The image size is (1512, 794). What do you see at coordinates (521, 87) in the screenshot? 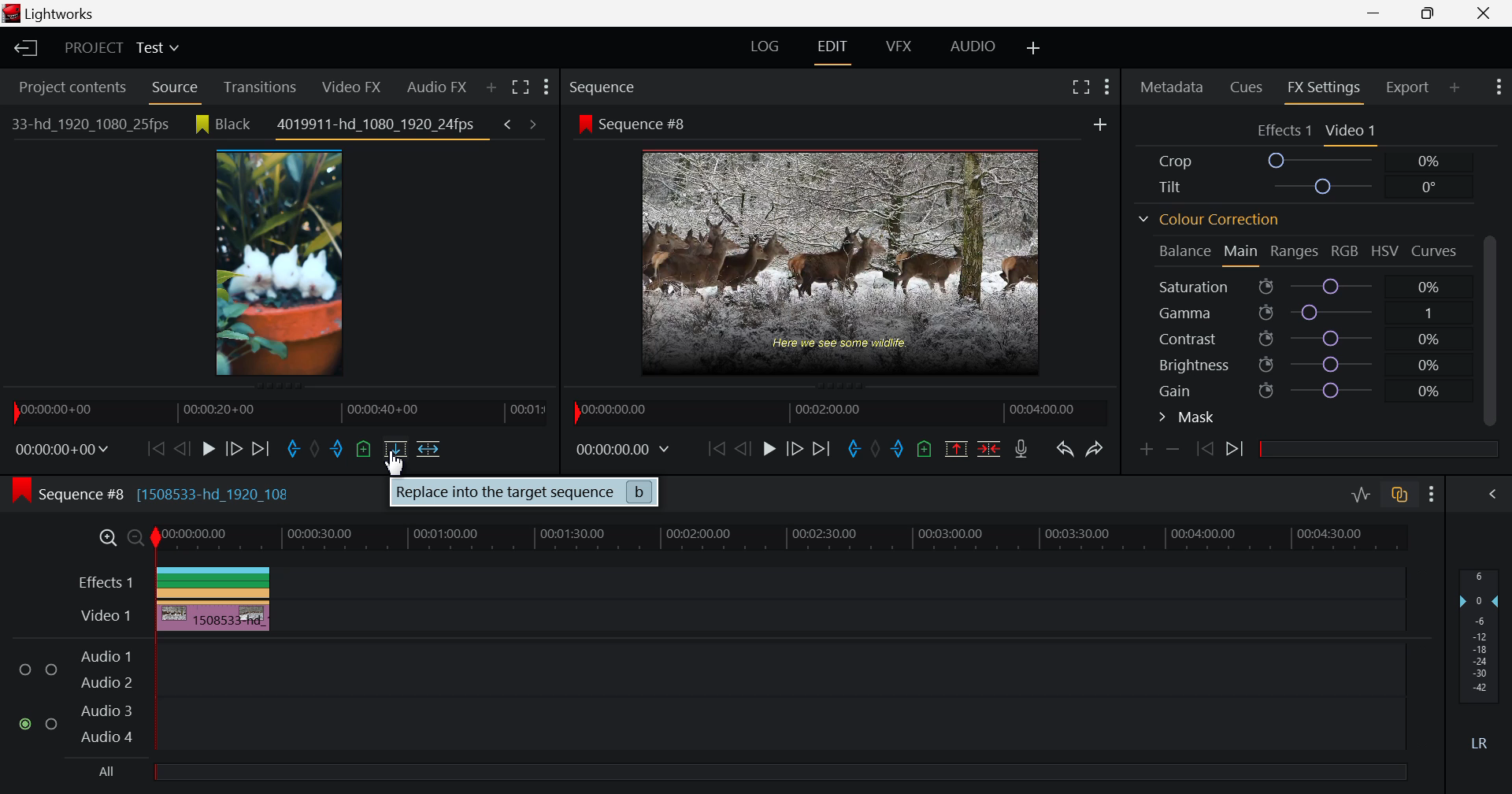
I see `Toggle between list and title view` at bounding box center [521, 87].